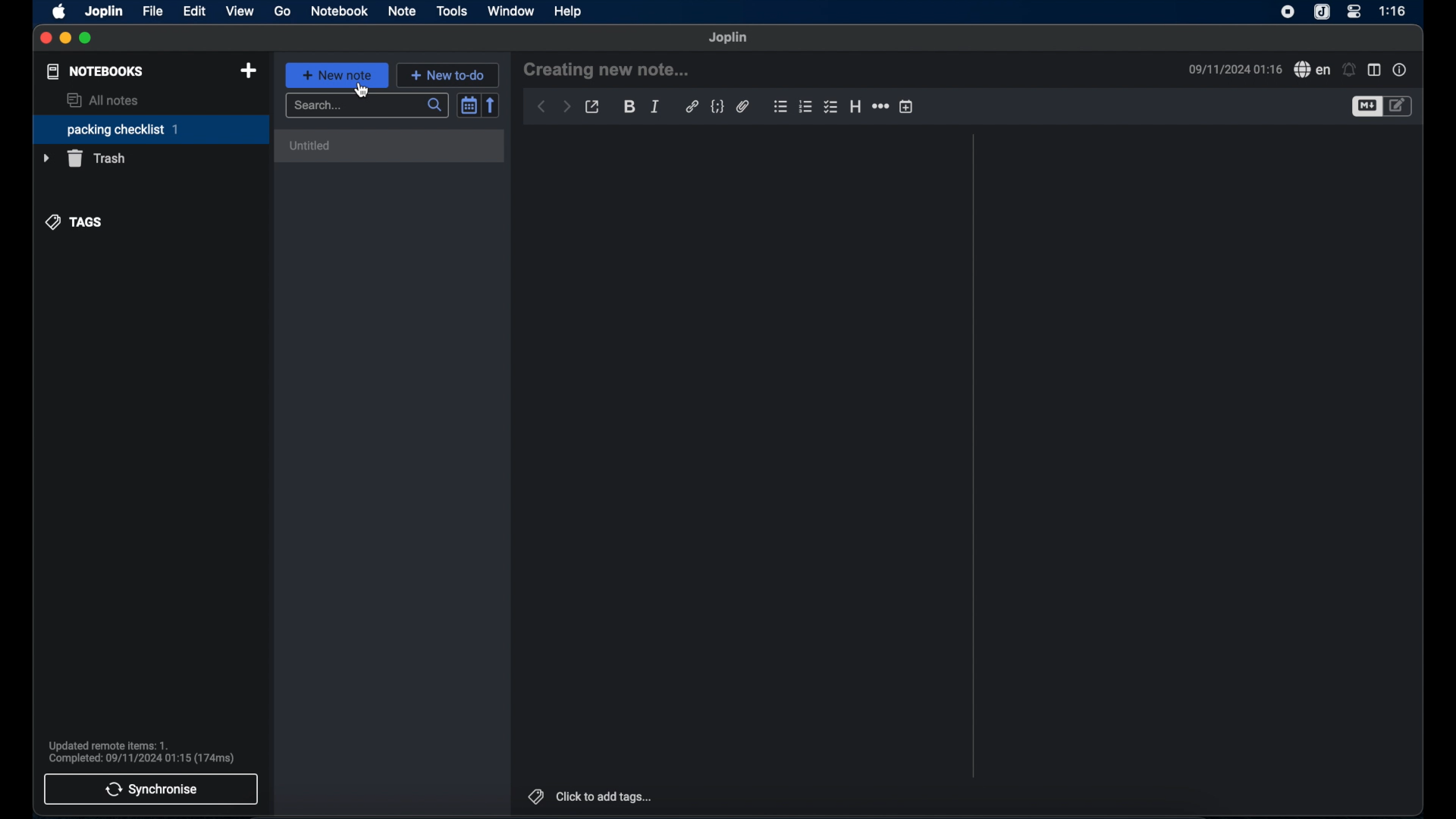  Describe the element at coordinates (58, 12) in the screenshot. I see `apple icon` at that location.